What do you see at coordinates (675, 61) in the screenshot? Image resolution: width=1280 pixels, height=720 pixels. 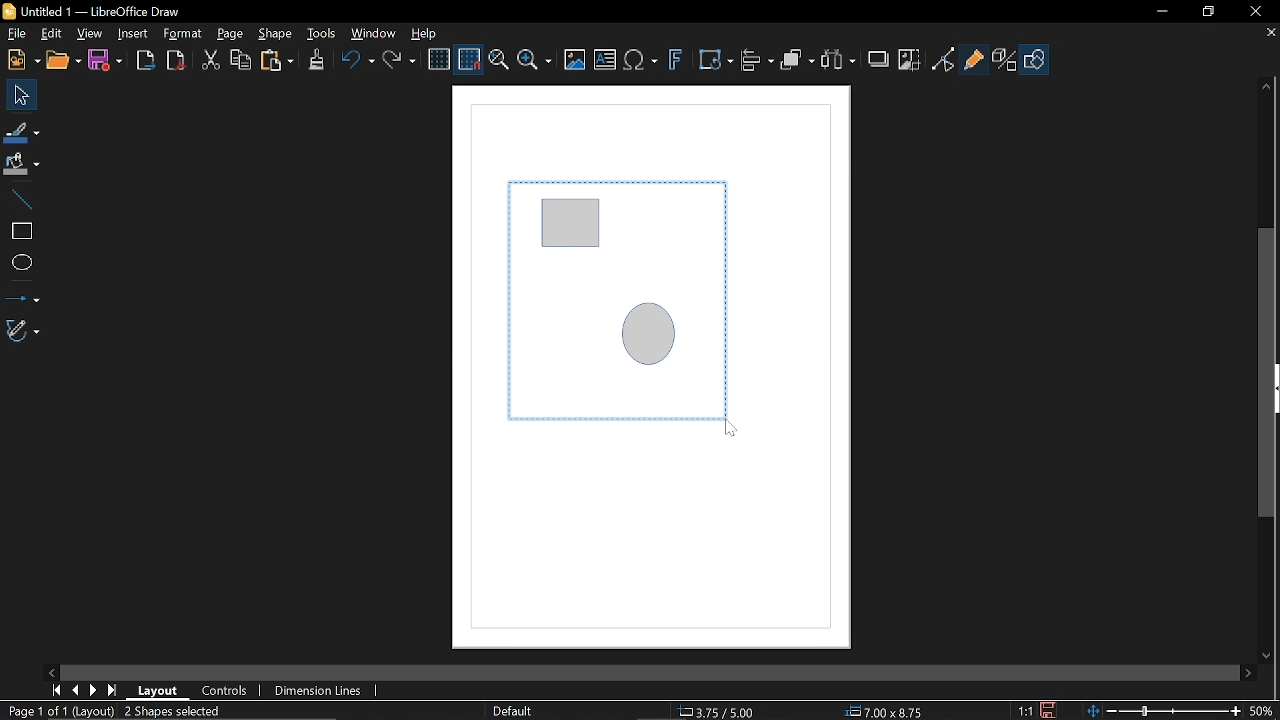 I see `Insert fontwork text` at bounding box center [675, 61].